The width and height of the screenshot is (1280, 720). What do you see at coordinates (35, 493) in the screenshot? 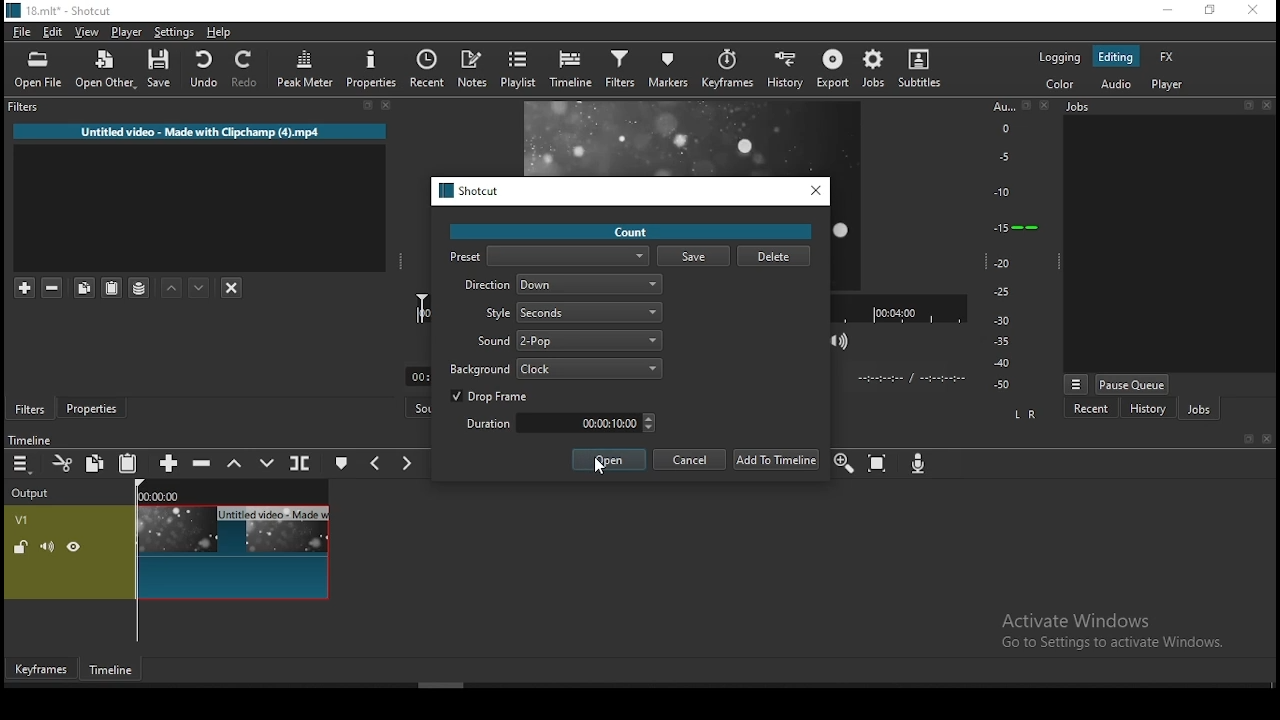
I see `Output` at bounding box center [35, 493].